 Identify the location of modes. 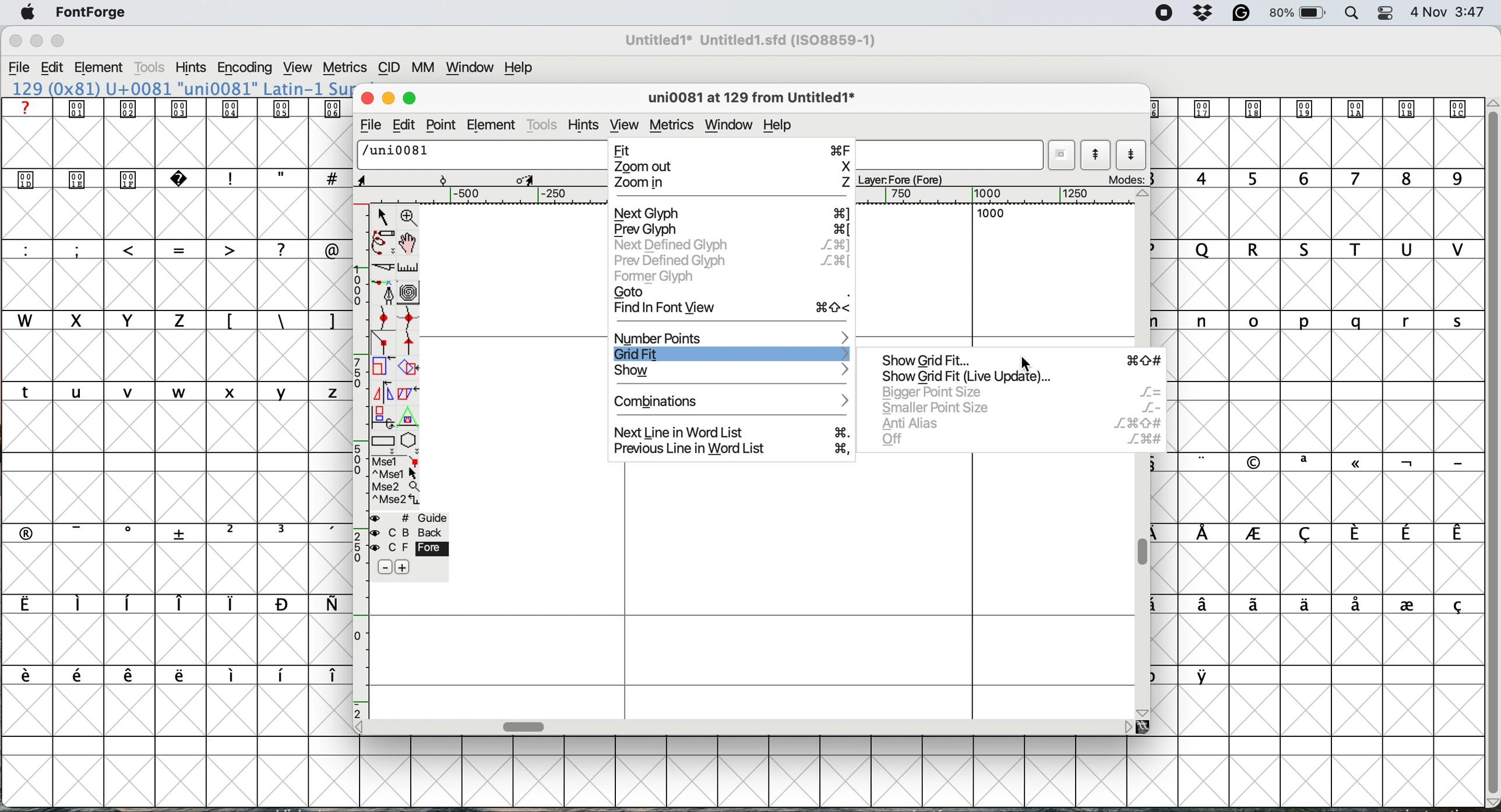
(1124, 178).